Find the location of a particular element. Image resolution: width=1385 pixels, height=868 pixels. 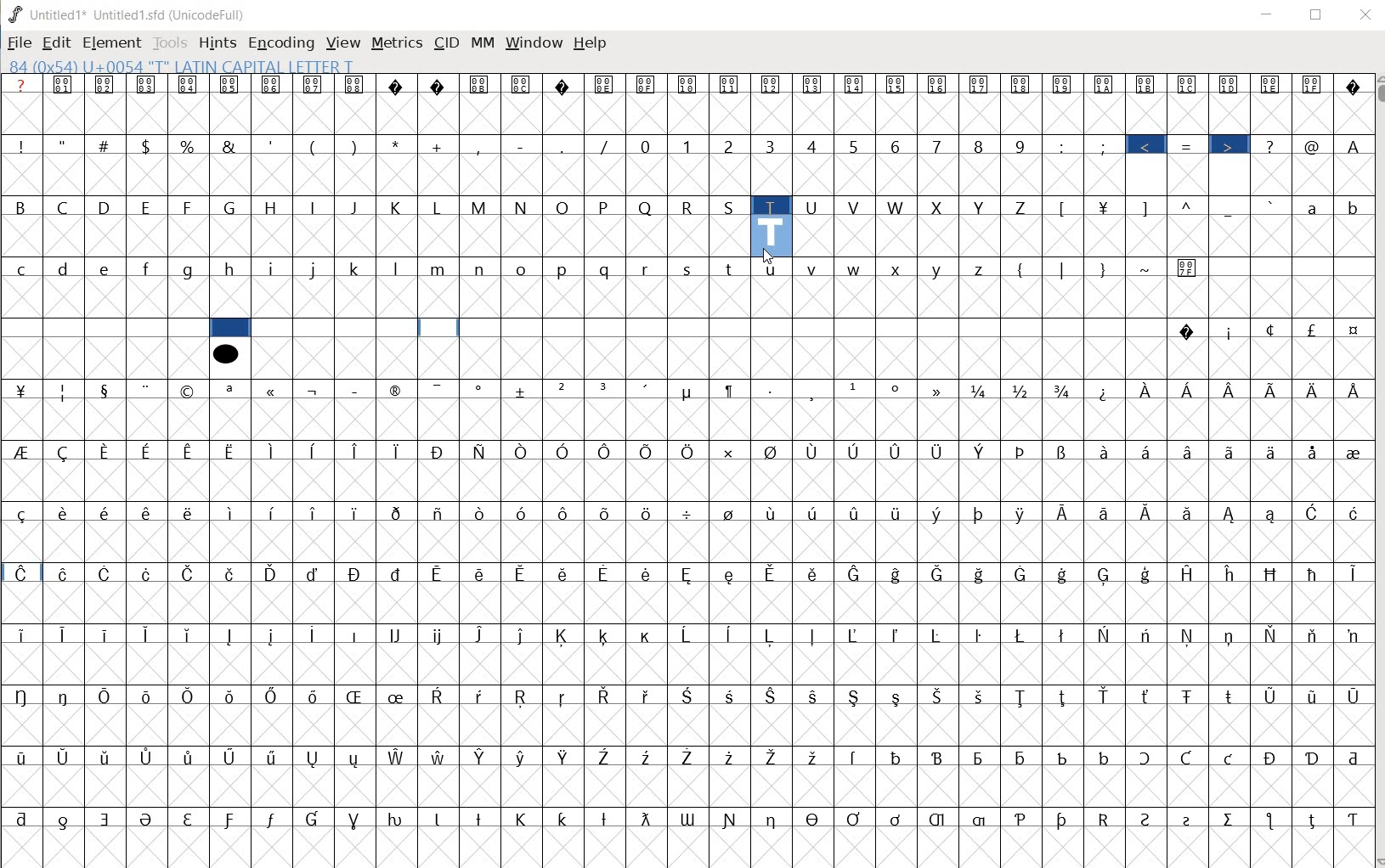

Symbol is located at coordinates (1273, 451).